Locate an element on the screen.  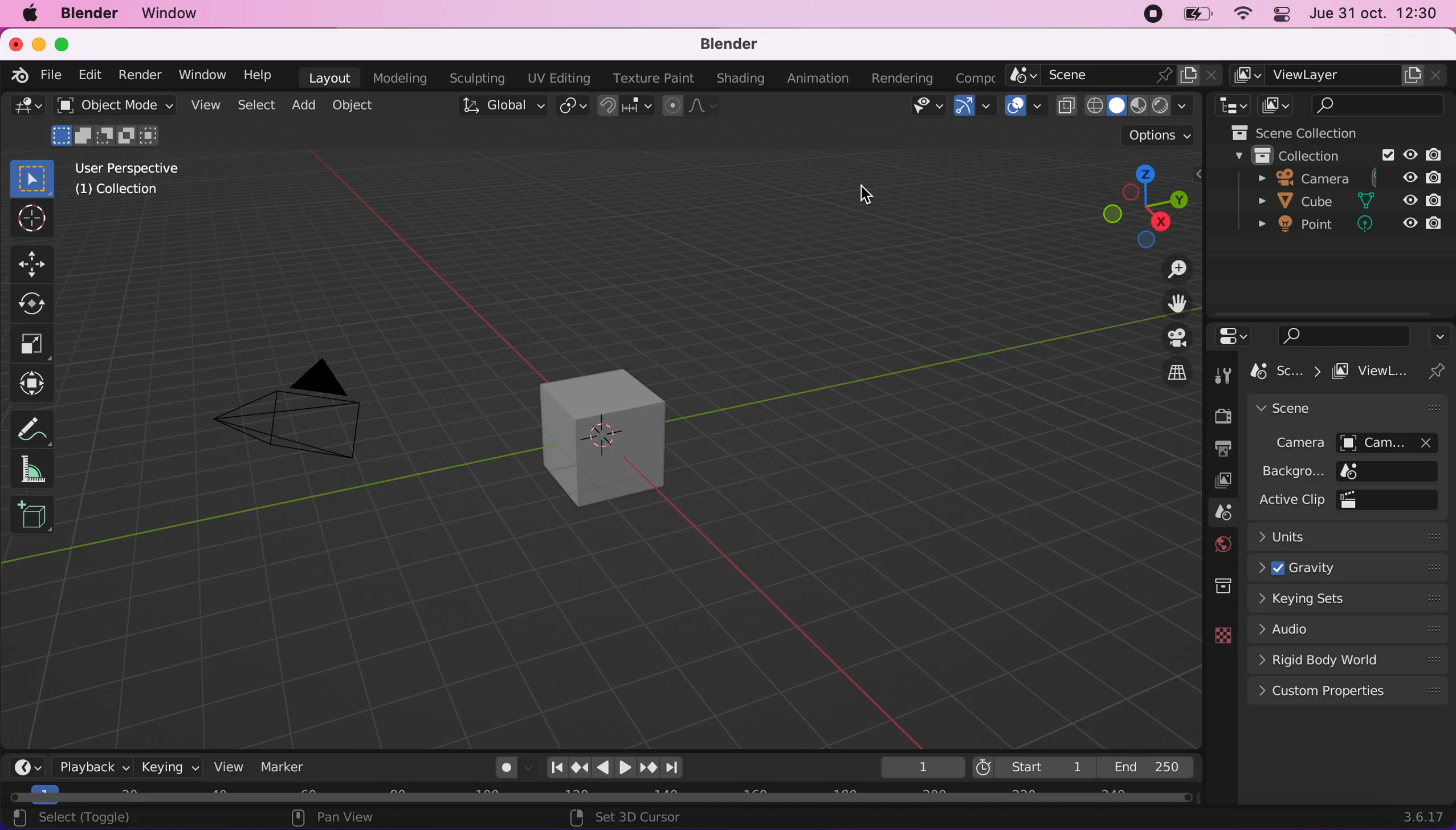
select box is located at coordinates (37, 176).